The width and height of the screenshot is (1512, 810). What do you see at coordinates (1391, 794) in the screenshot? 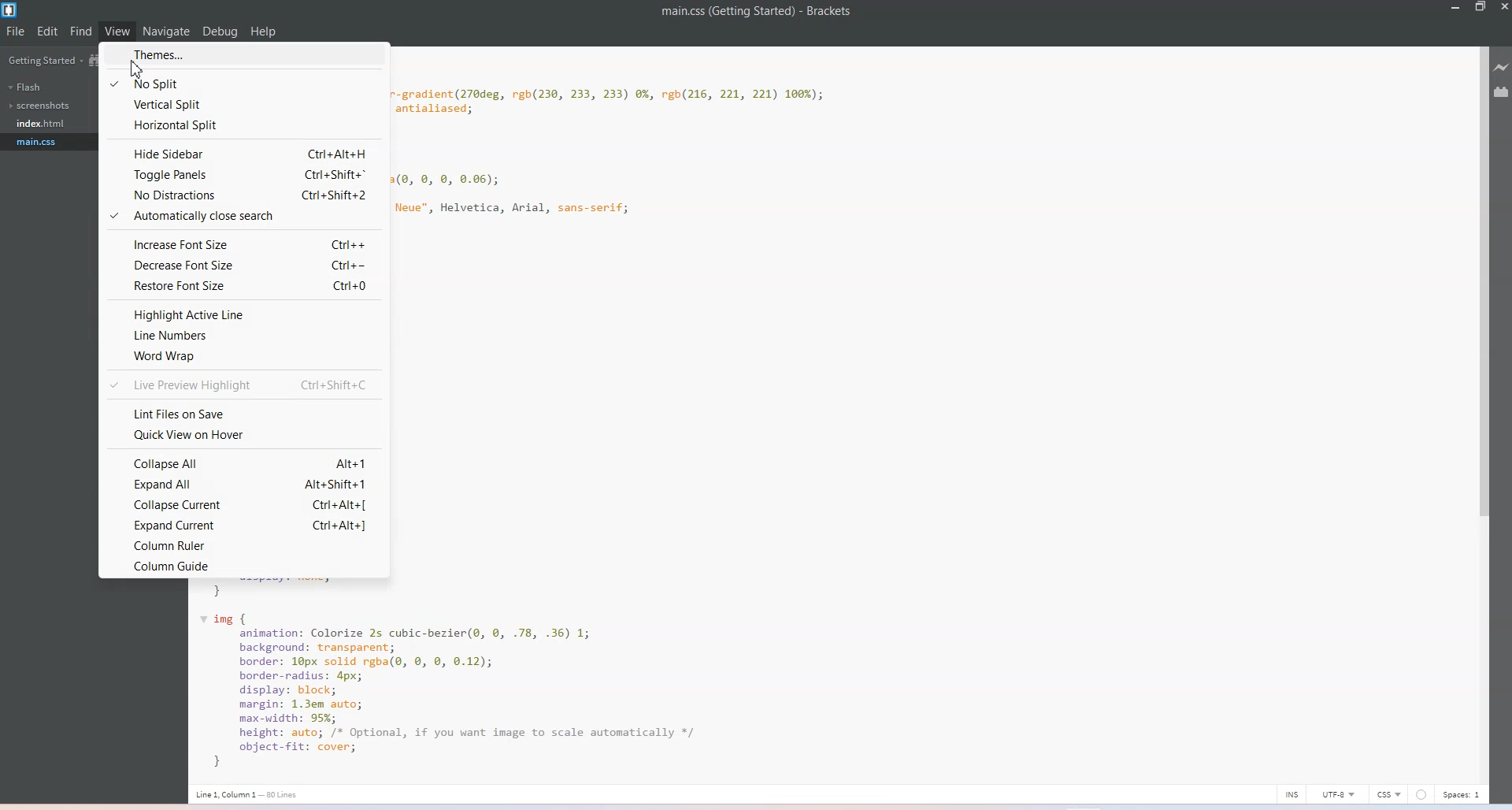
I see `CSS` at bounding box center [1391, 794].